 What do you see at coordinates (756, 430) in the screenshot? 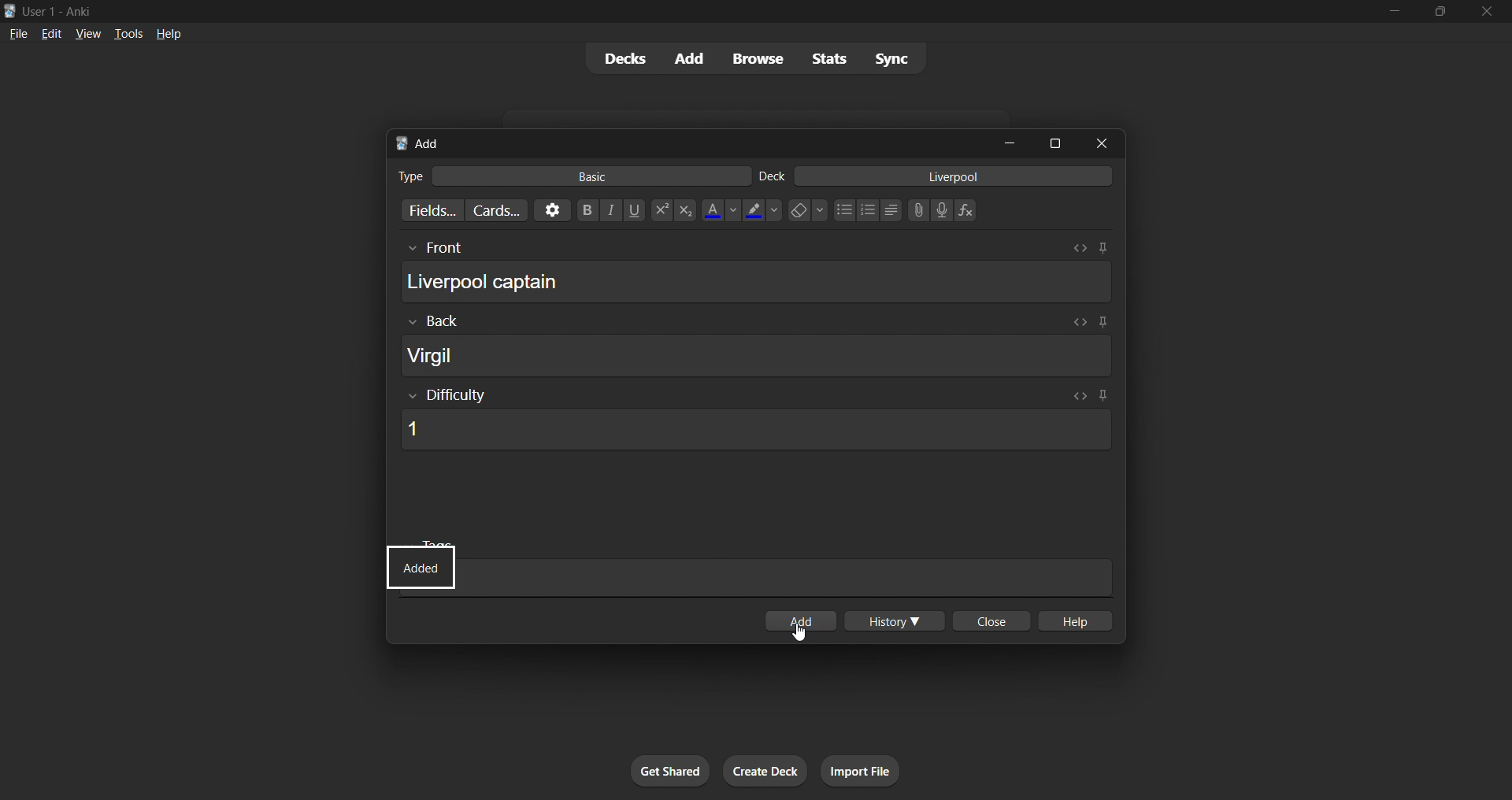
I see `card difficulty field input box` at bounding box center [756, 430].